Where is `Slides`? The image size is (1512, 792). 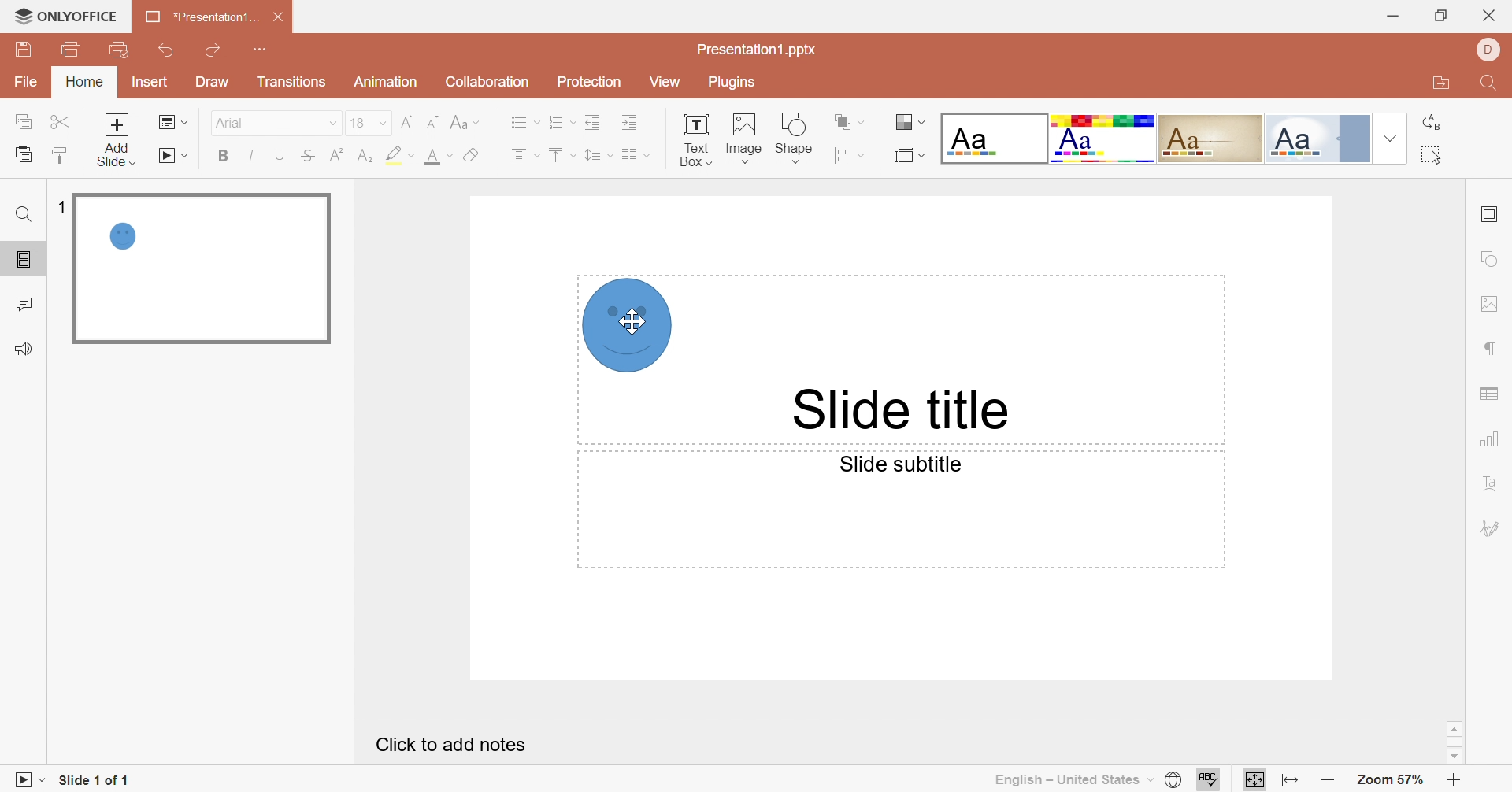
Slides is located at coordinates (27, 261).